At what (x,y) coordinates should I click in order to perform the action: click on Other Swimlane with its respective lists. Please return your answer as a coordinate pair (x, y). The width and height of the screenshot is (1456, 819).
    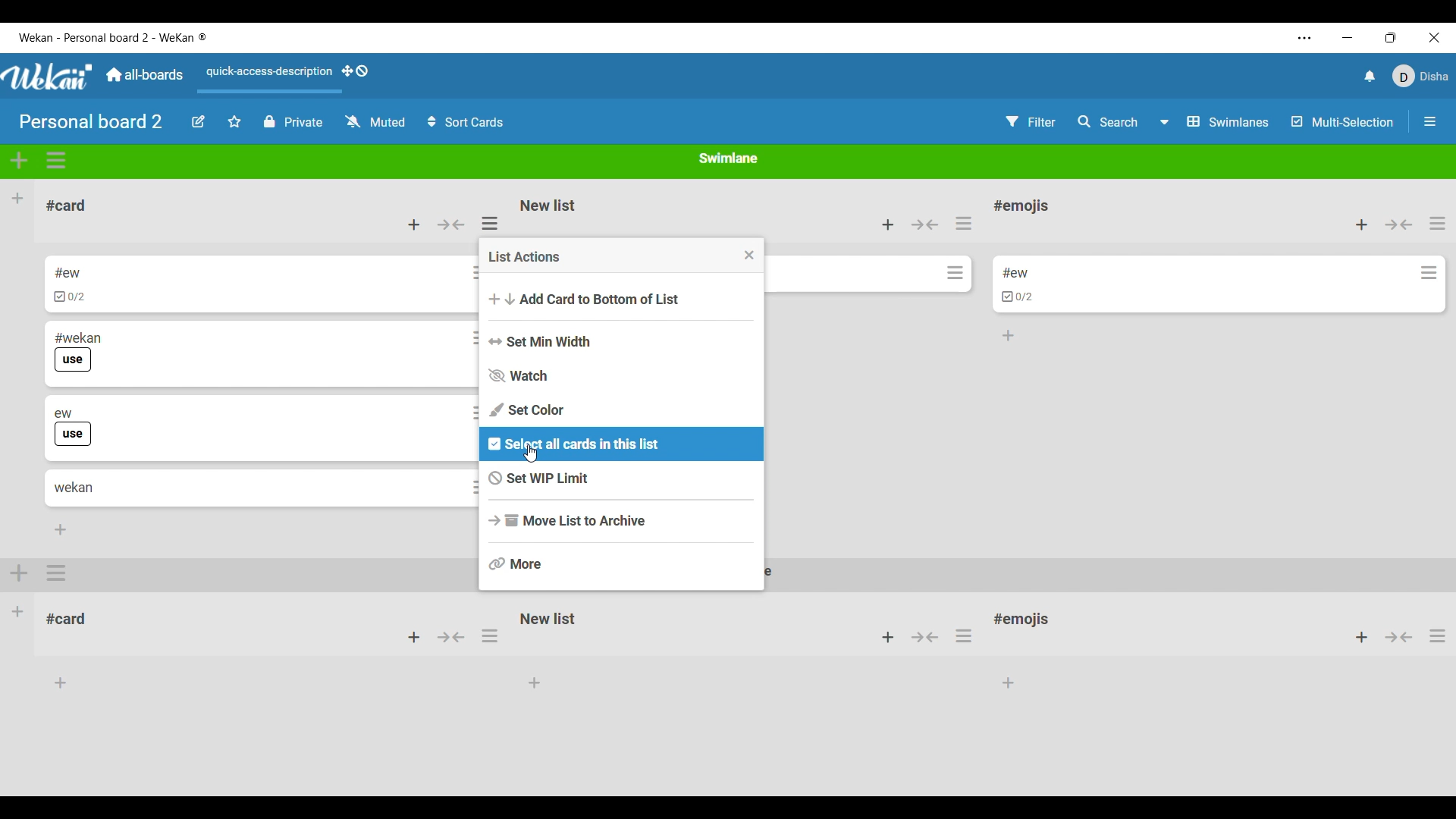
    Looking at the image, I should click on (958, 646).